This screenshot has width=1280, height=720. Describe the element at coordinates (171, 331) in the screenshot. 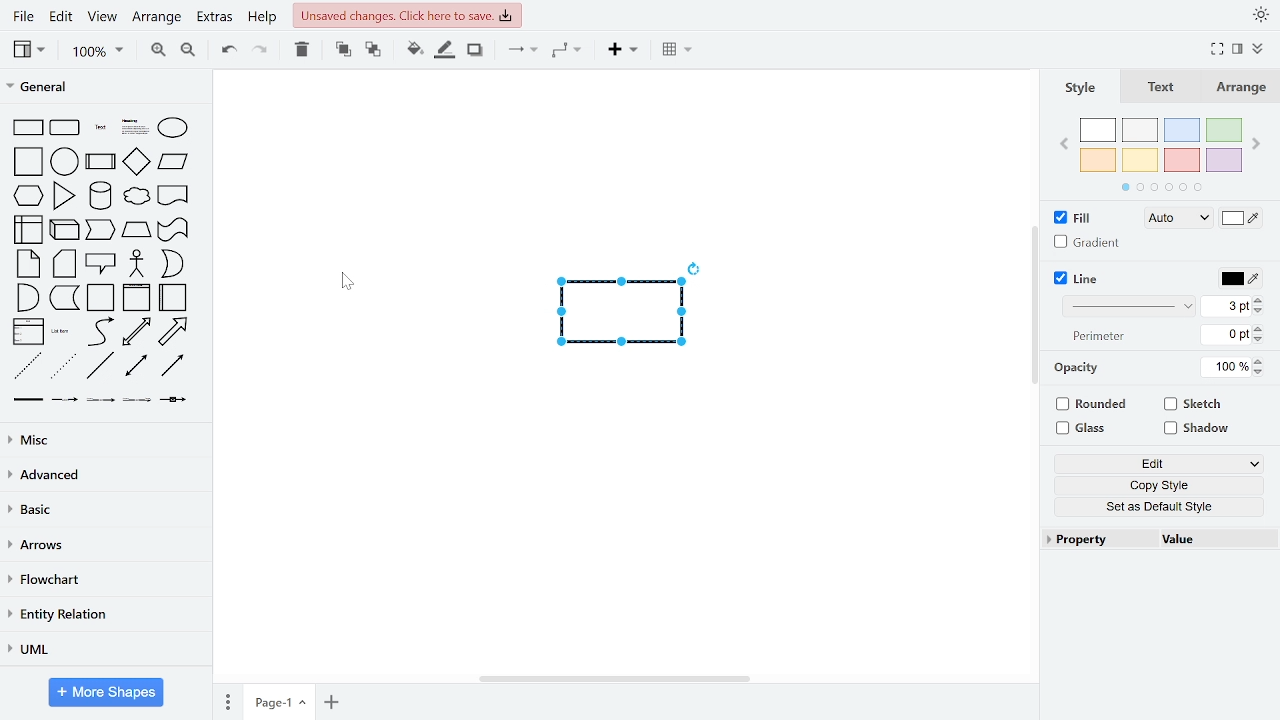

I see `general shapes` at that location.